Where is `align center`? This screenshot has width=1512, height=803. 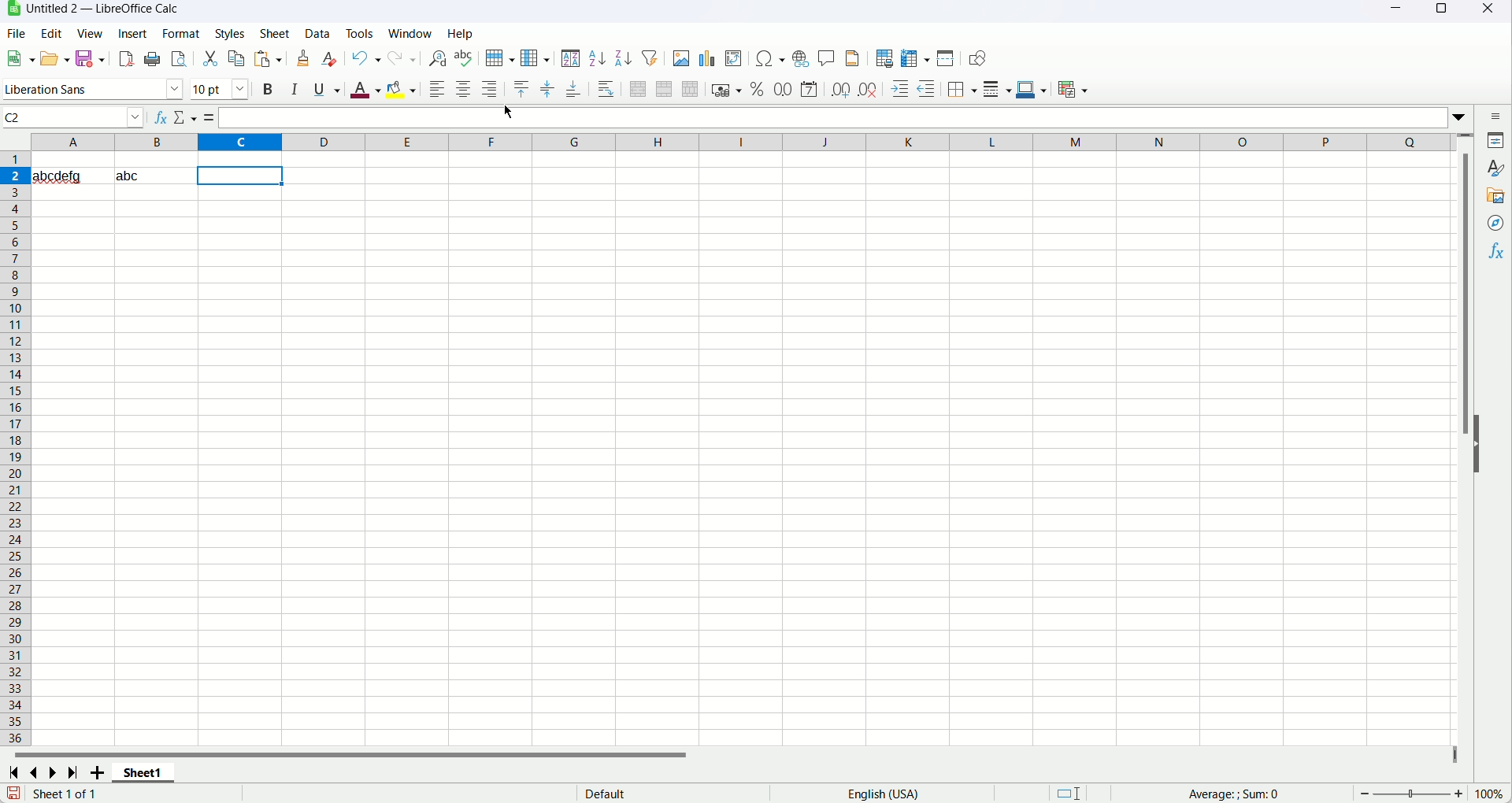
align center is located at coordinates (463, 88).